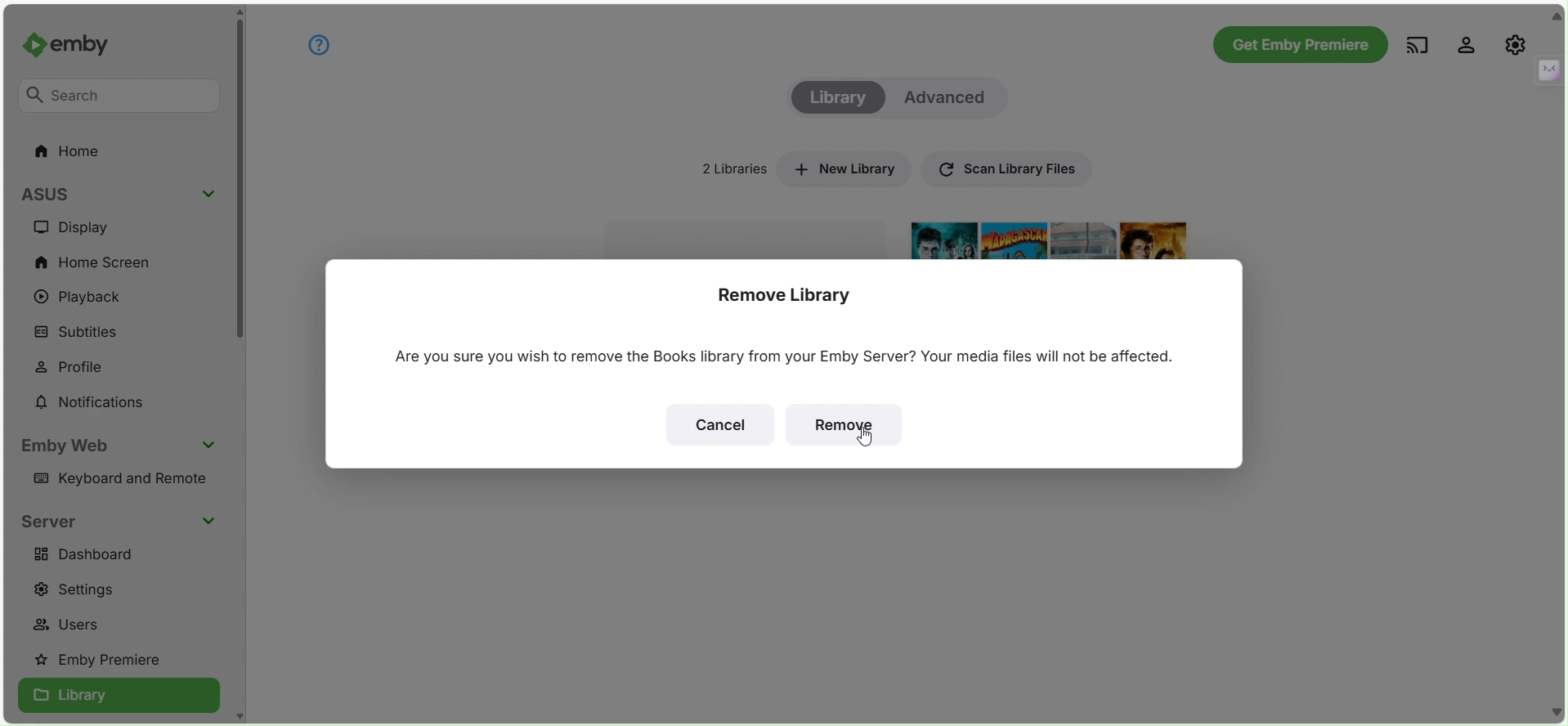 This screenshot has width=1568, height=726. Describe the element at coordinates (844, 426) in the screenshot. I see `Remove` at that location.